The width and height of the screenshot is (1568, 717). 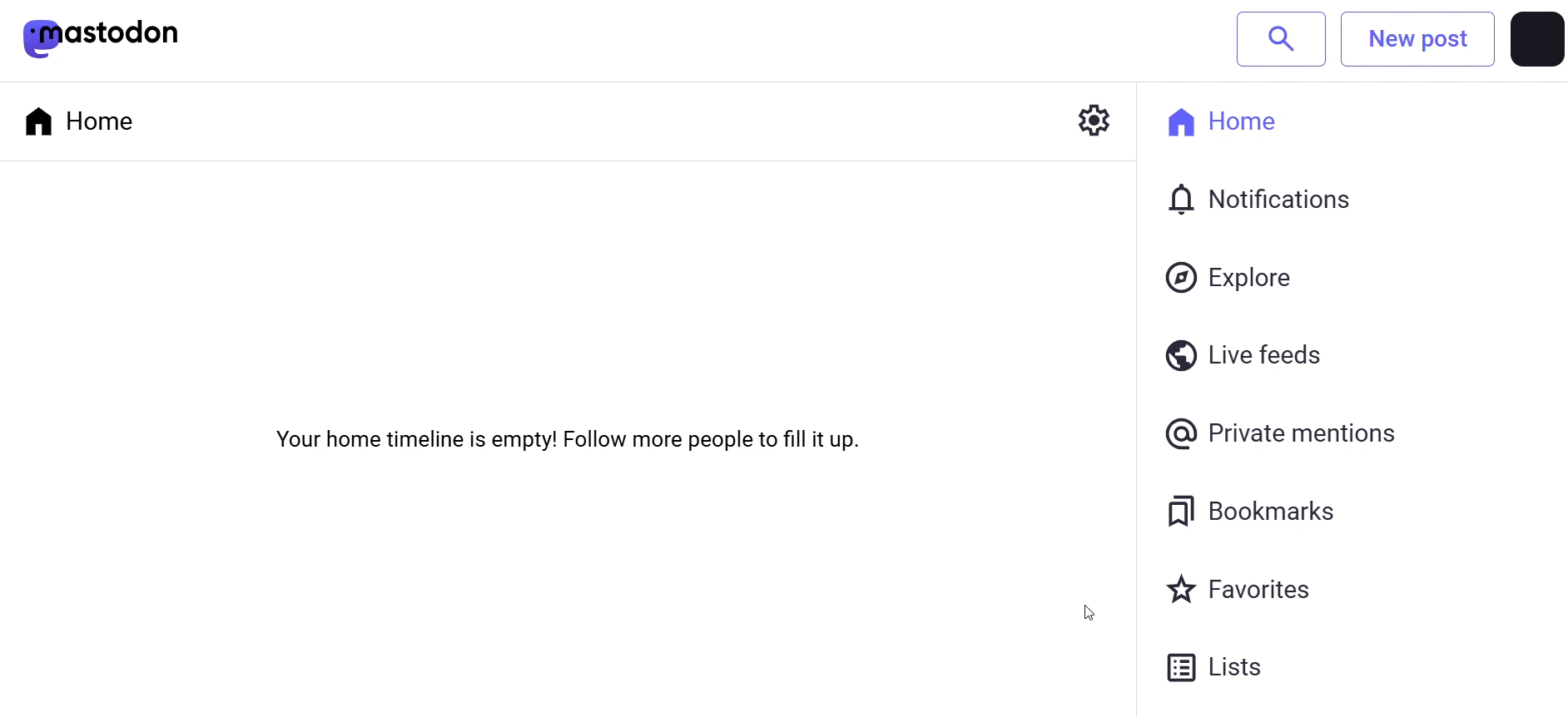 I want to click on private mentions, so click(x=1283, y=435).